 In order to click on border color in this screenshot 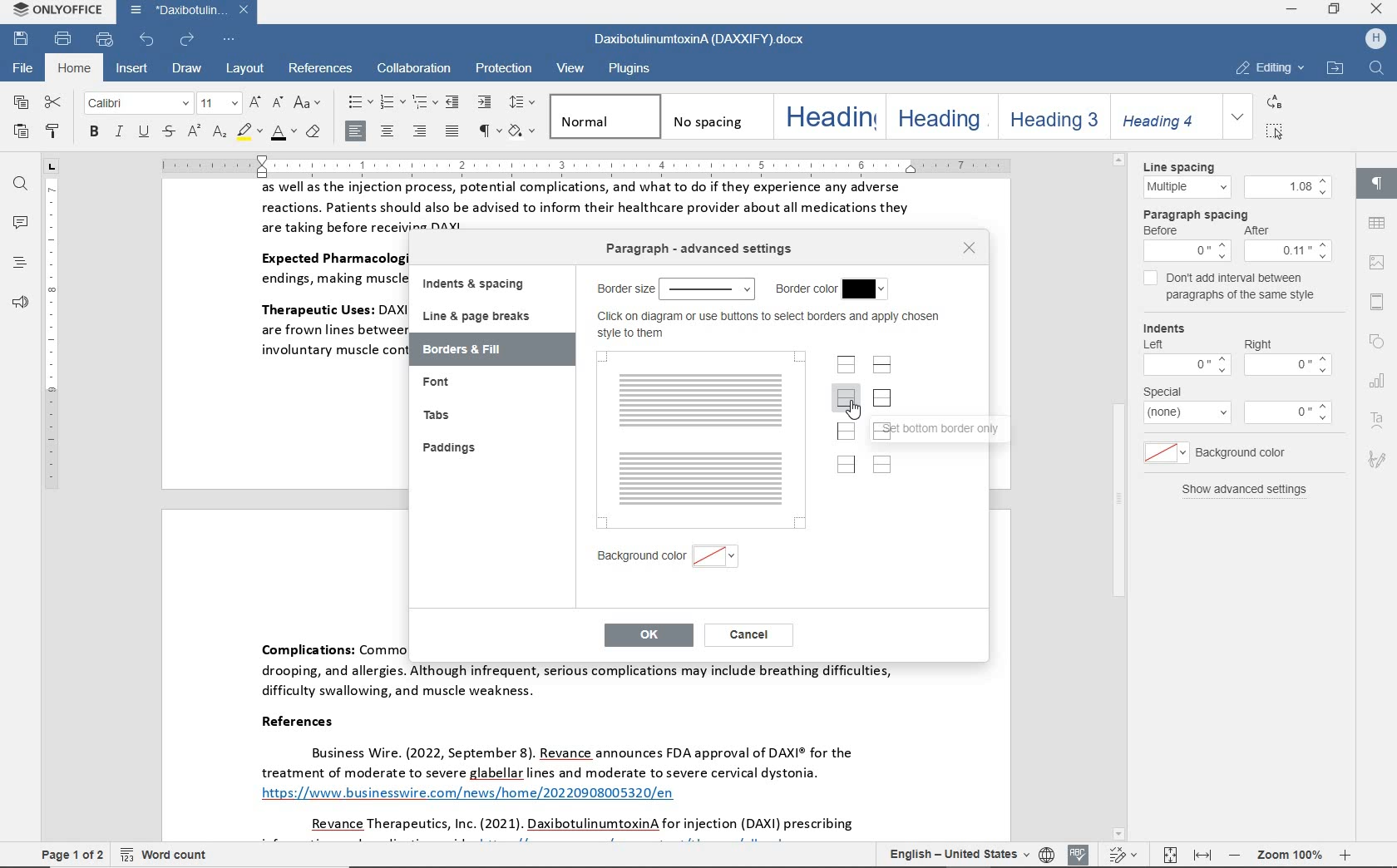, I will do `click(830, 289)`.